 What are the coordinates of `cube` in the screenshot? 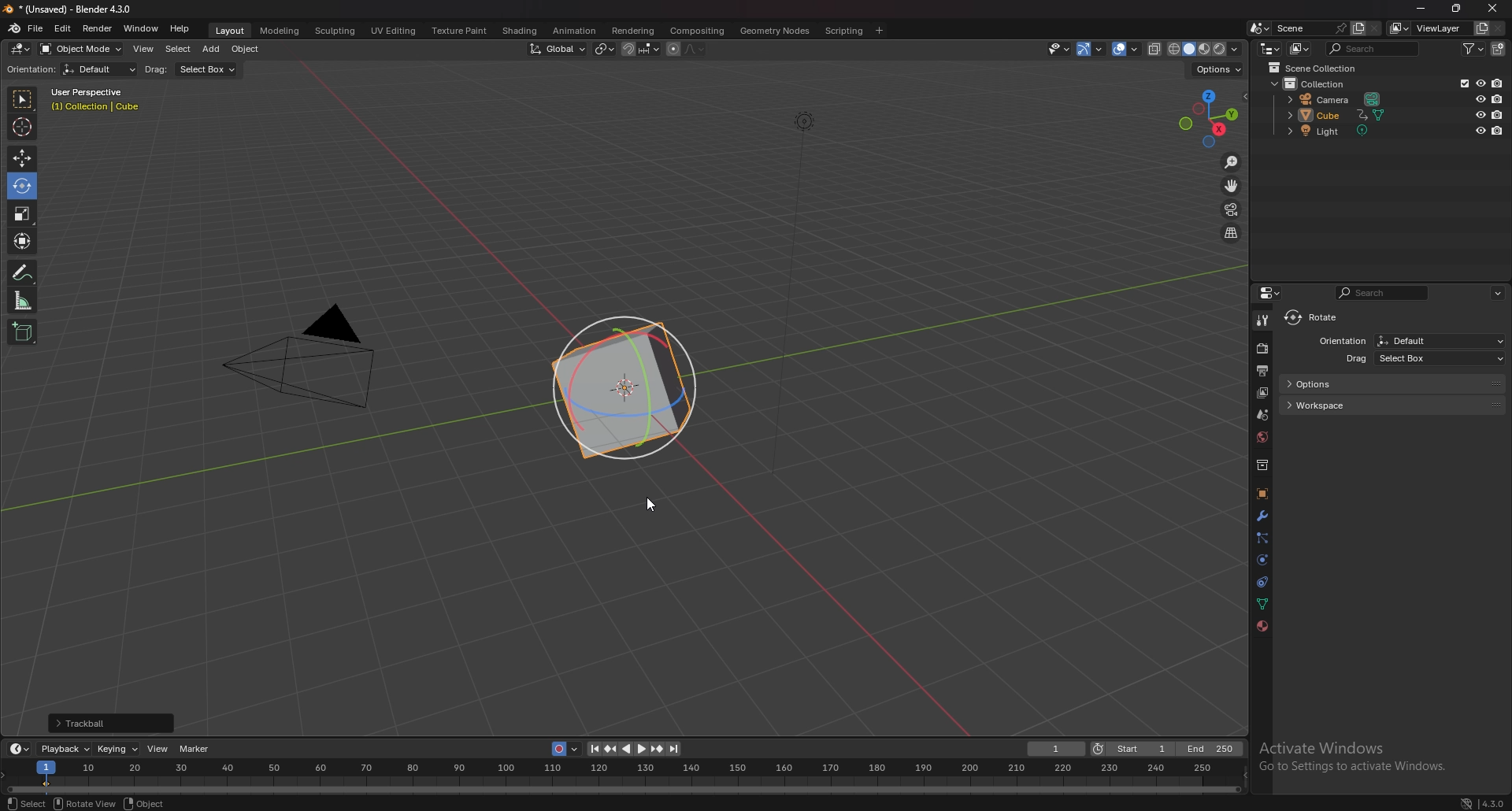 It's located at (624, 389).